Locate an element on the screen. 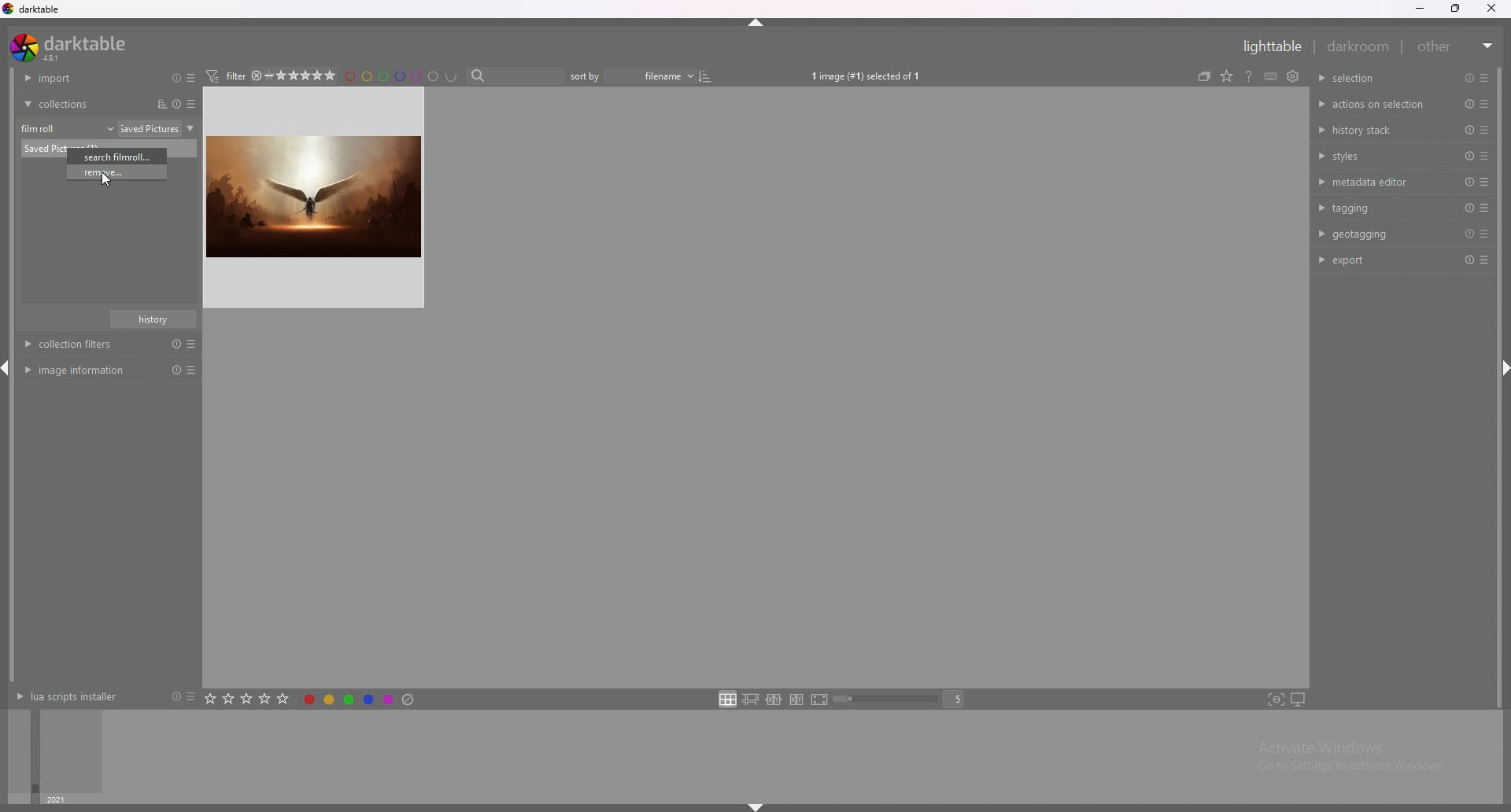 The height and width of the screenshot is (812, 1511). reset is located at coordinates (173, 697).